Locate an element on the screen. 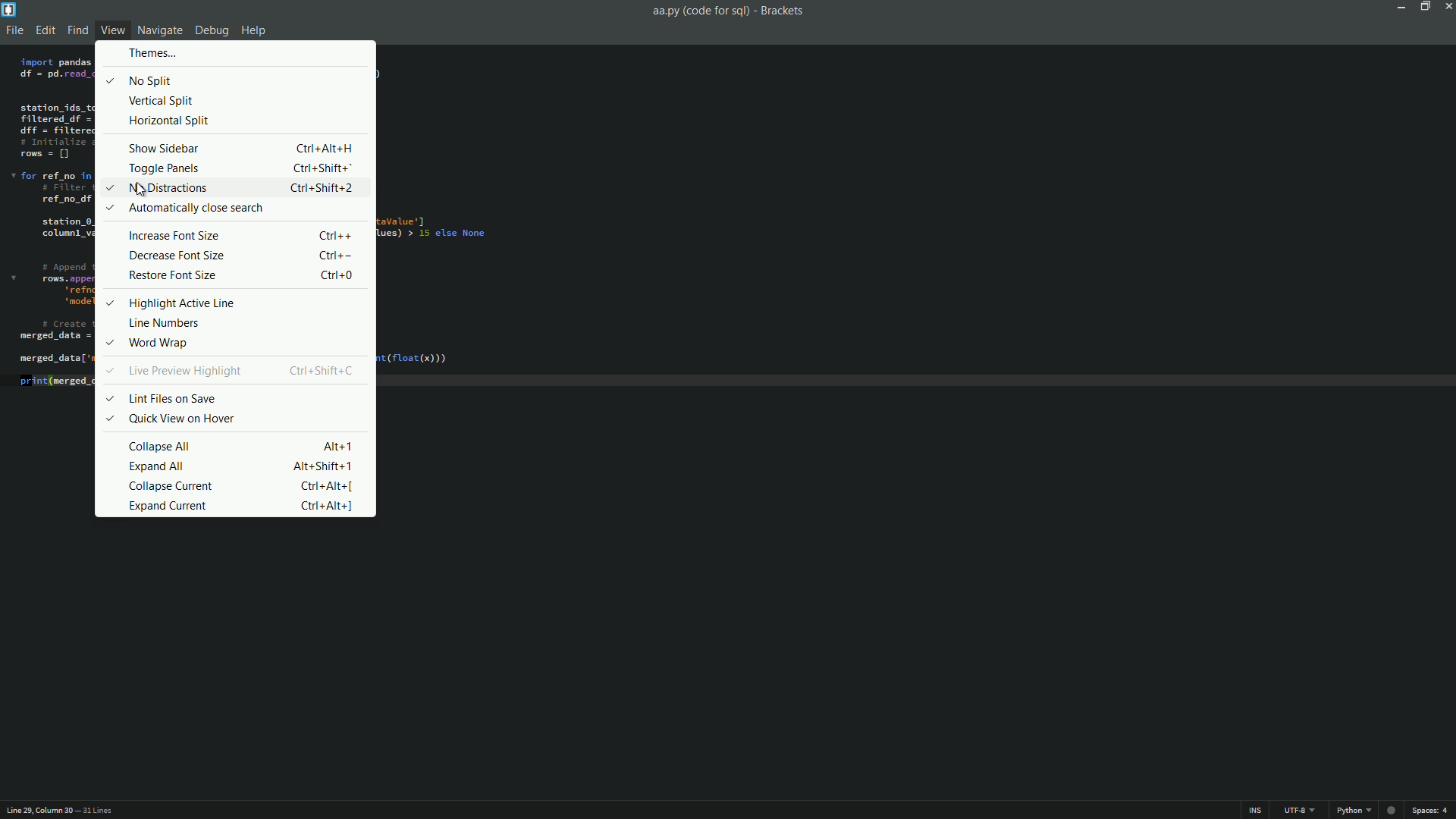  warnings is located at coordinates (1391, 808).